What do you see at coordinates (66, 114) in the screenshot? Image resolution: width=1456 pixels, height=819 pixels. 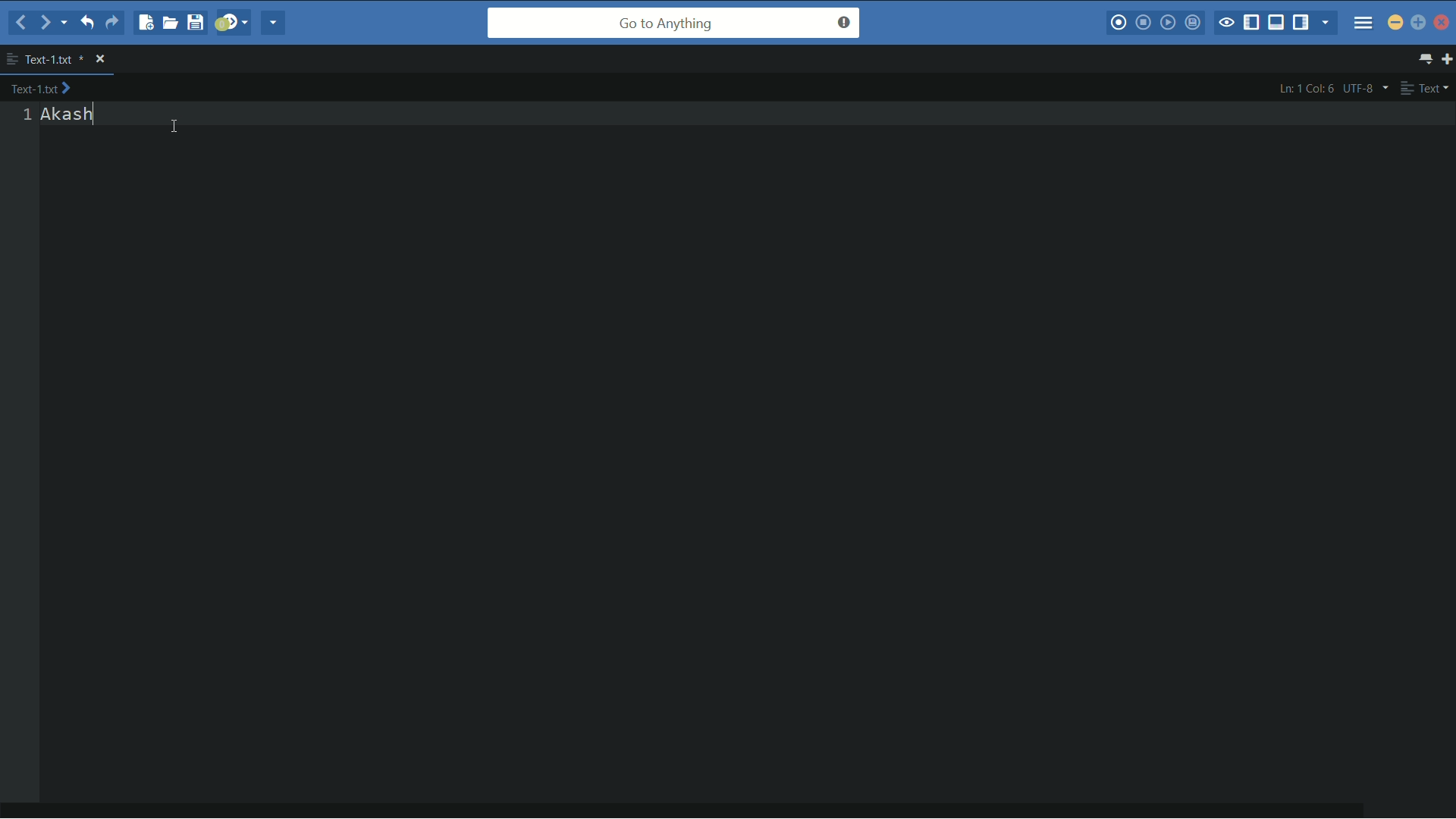 I see `Akash` at bounding box center [66, 114].